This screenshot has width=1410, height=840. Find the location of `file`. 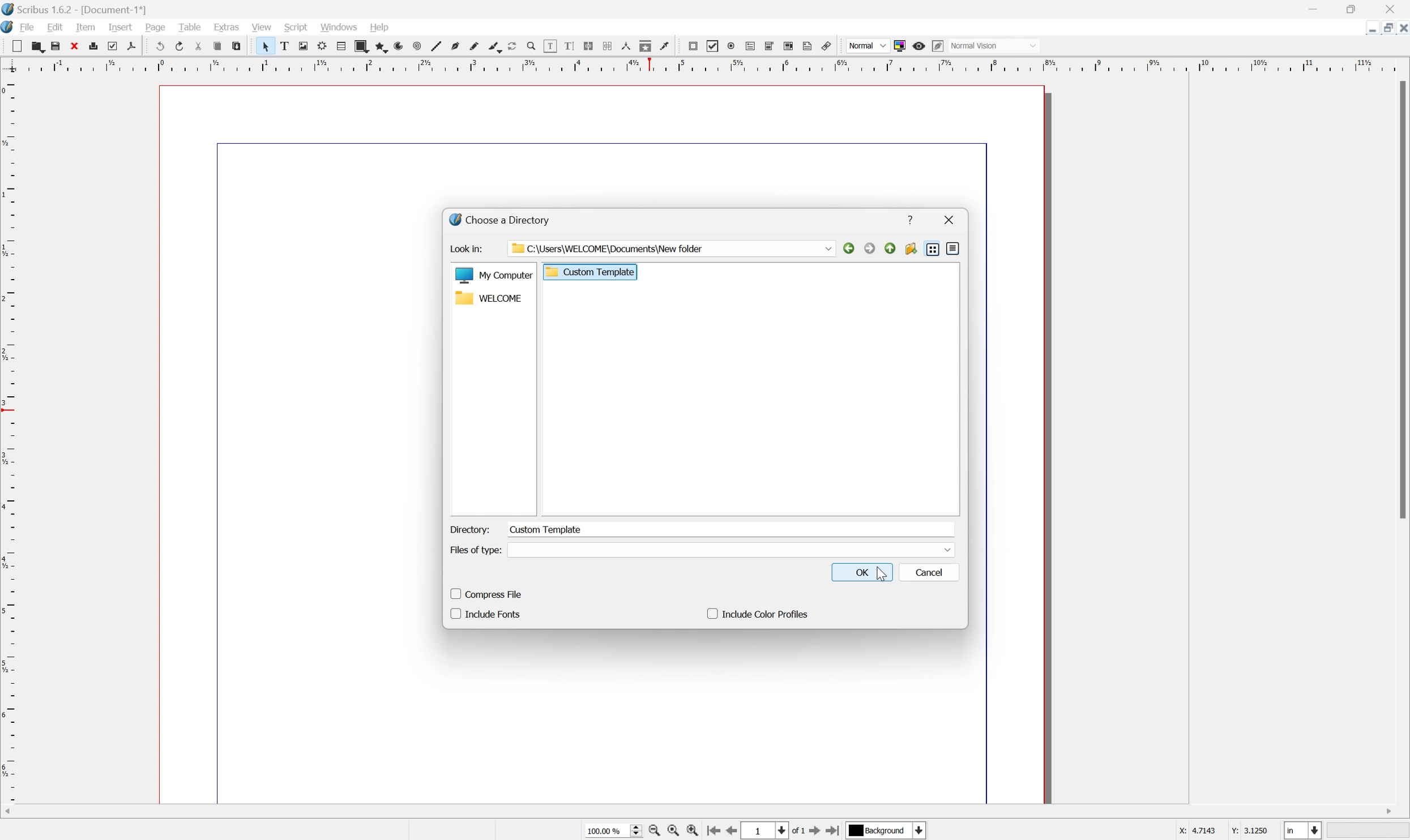

file is located at coordinates (29, 26).